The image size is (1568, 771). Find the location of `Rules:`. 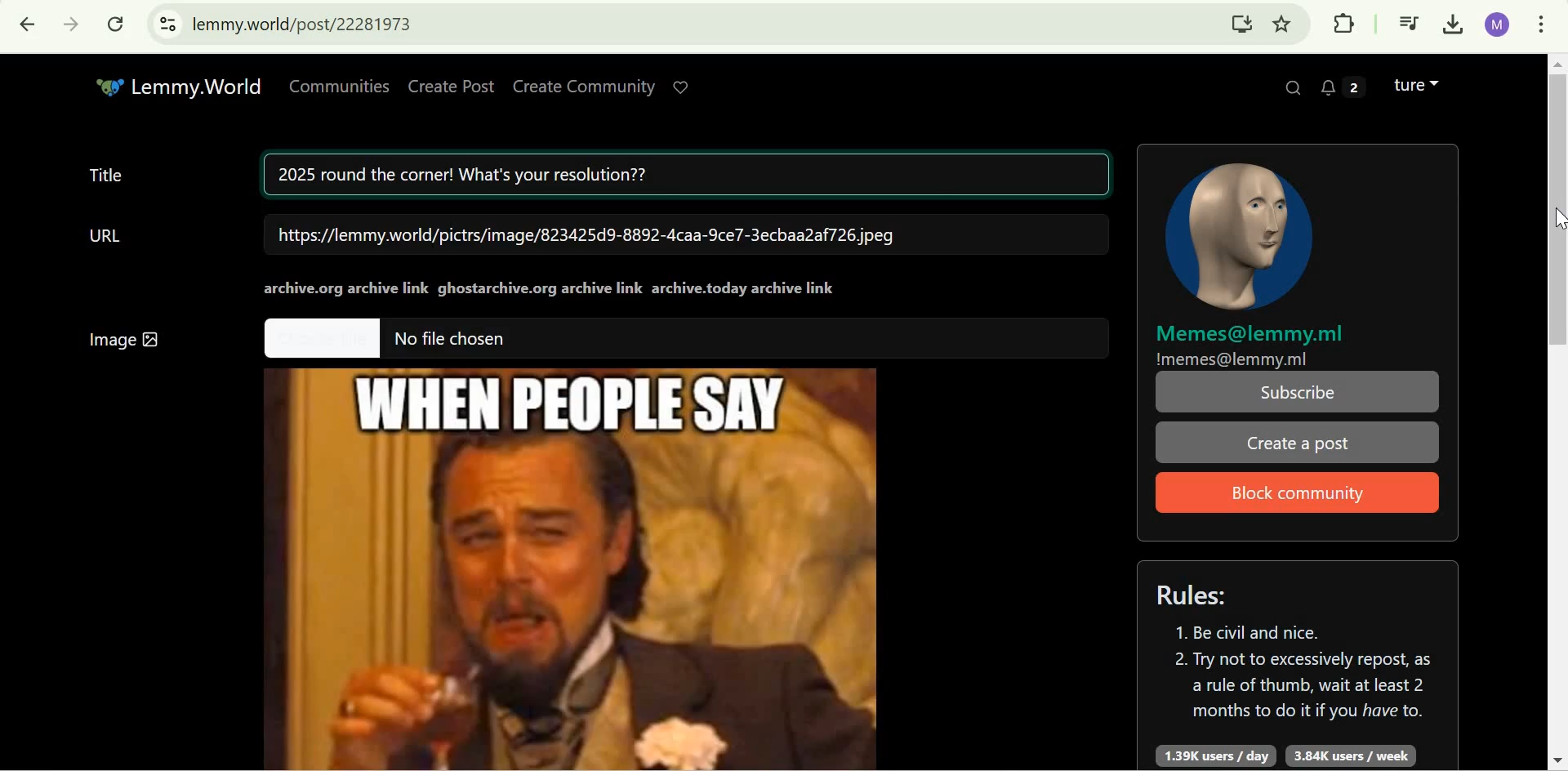

Rules: is located at coordinates (1199, 595).